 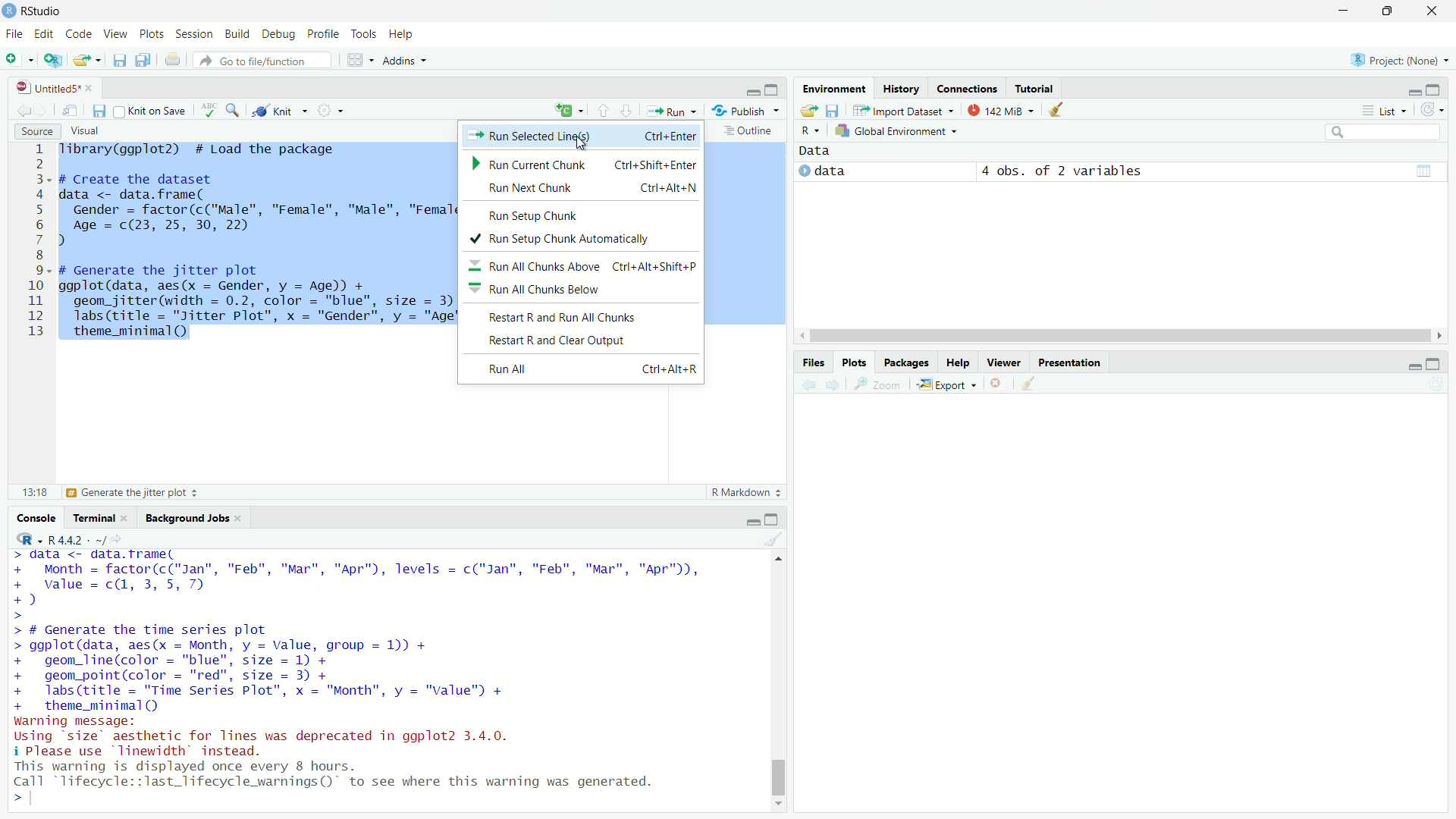 I want to click on clear all plots, so click(x=1031, y=384).